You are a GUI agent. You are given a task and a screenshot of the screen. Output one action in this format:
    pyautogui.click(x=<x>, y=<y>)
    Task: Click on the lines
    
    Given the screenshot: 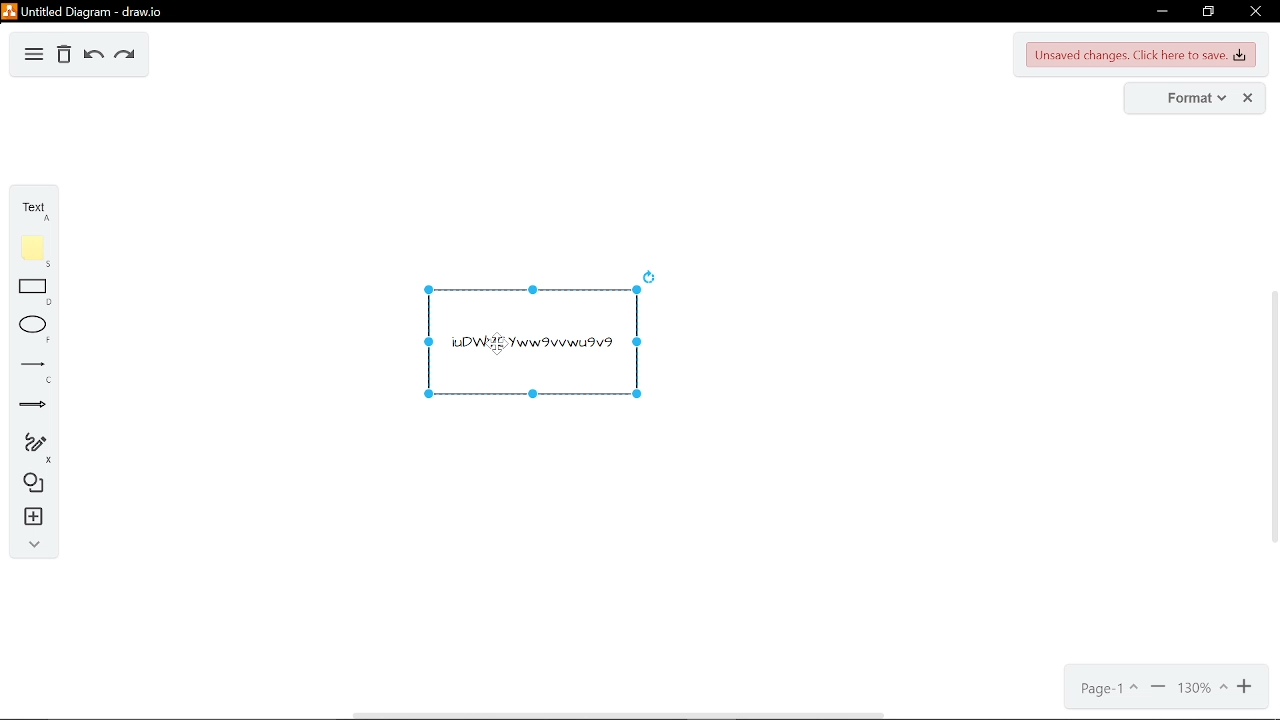 What is the action you would take?
    pyautogui.click(x=27, y=368)
    